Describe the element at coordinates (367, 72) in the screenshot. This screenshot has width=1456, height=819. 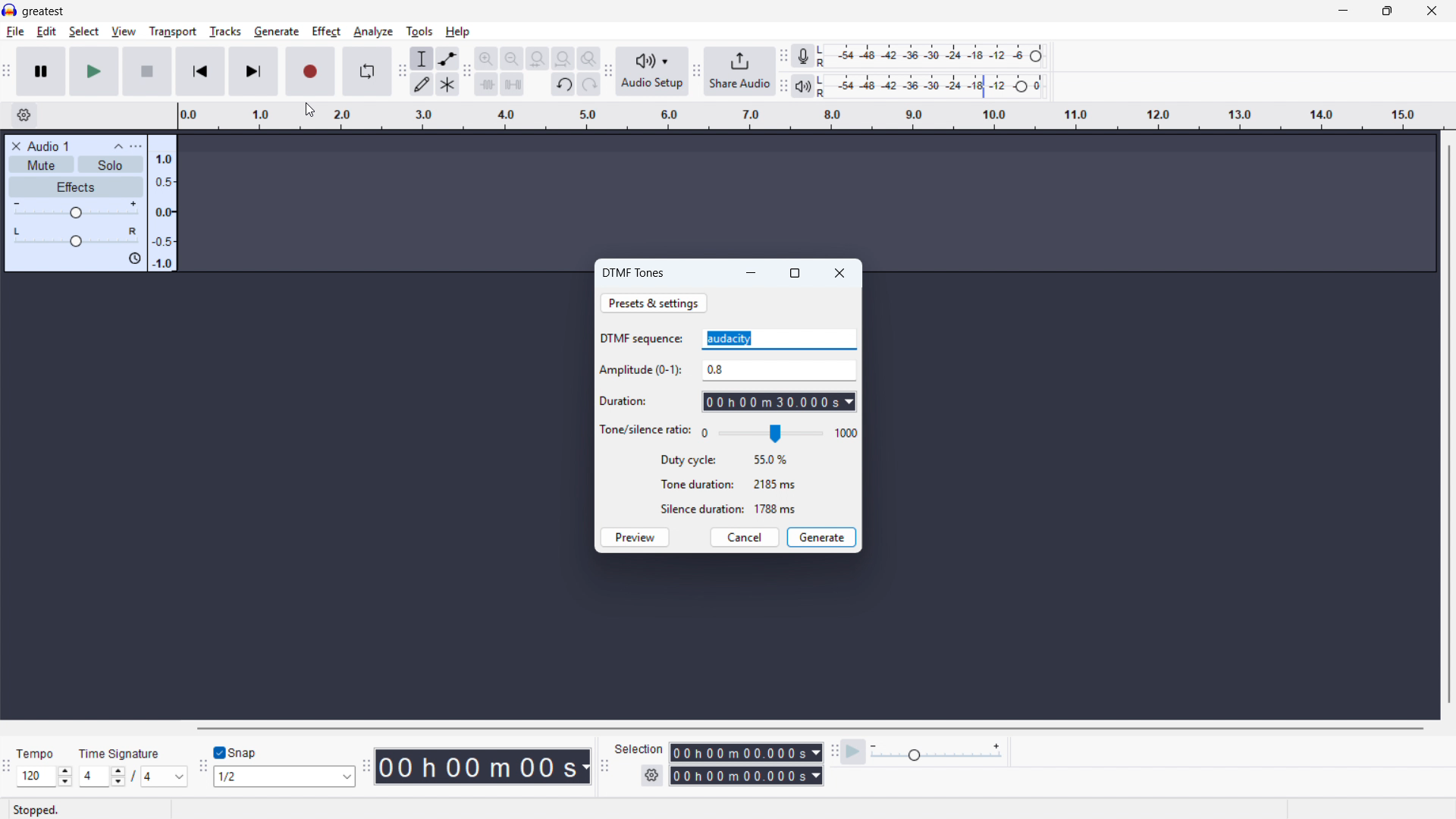
I see `enable looping` at that location.